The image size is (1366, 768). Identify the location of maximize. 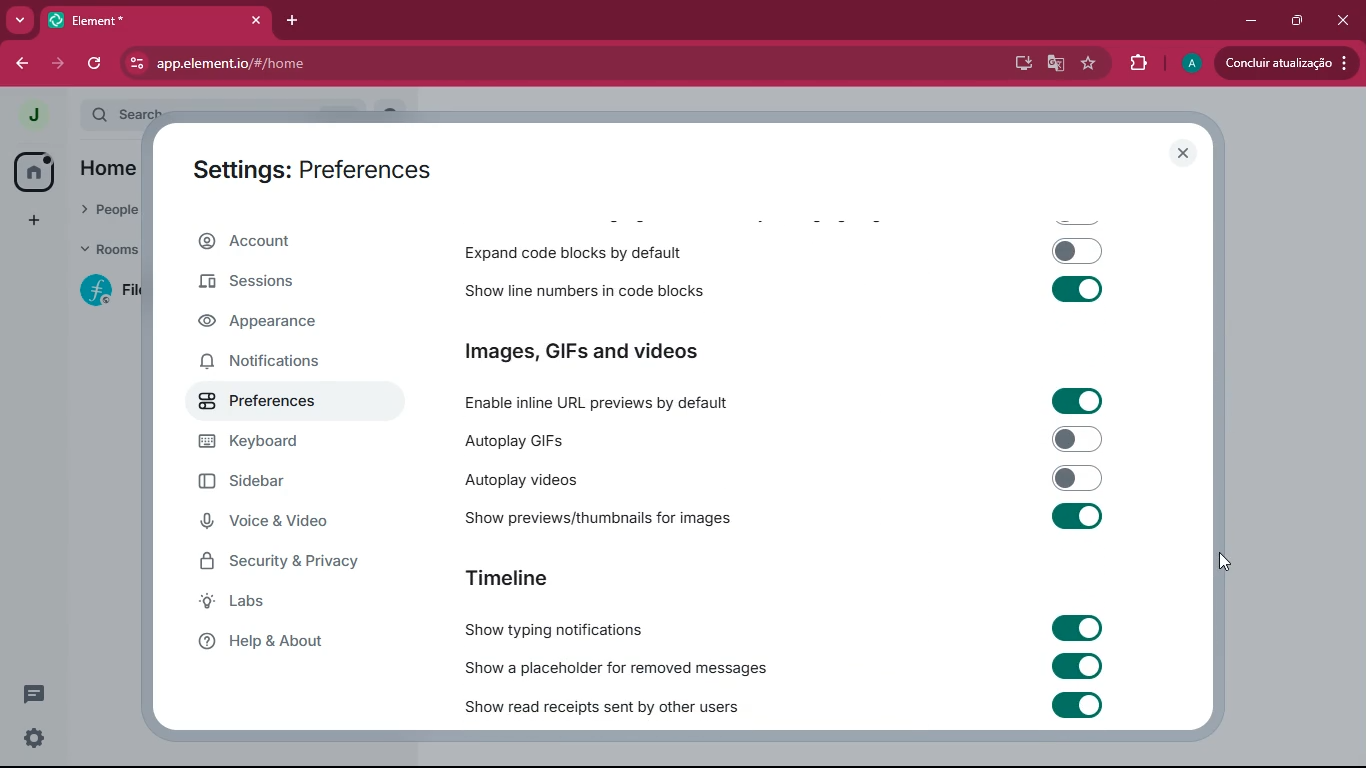
(1299, 19).